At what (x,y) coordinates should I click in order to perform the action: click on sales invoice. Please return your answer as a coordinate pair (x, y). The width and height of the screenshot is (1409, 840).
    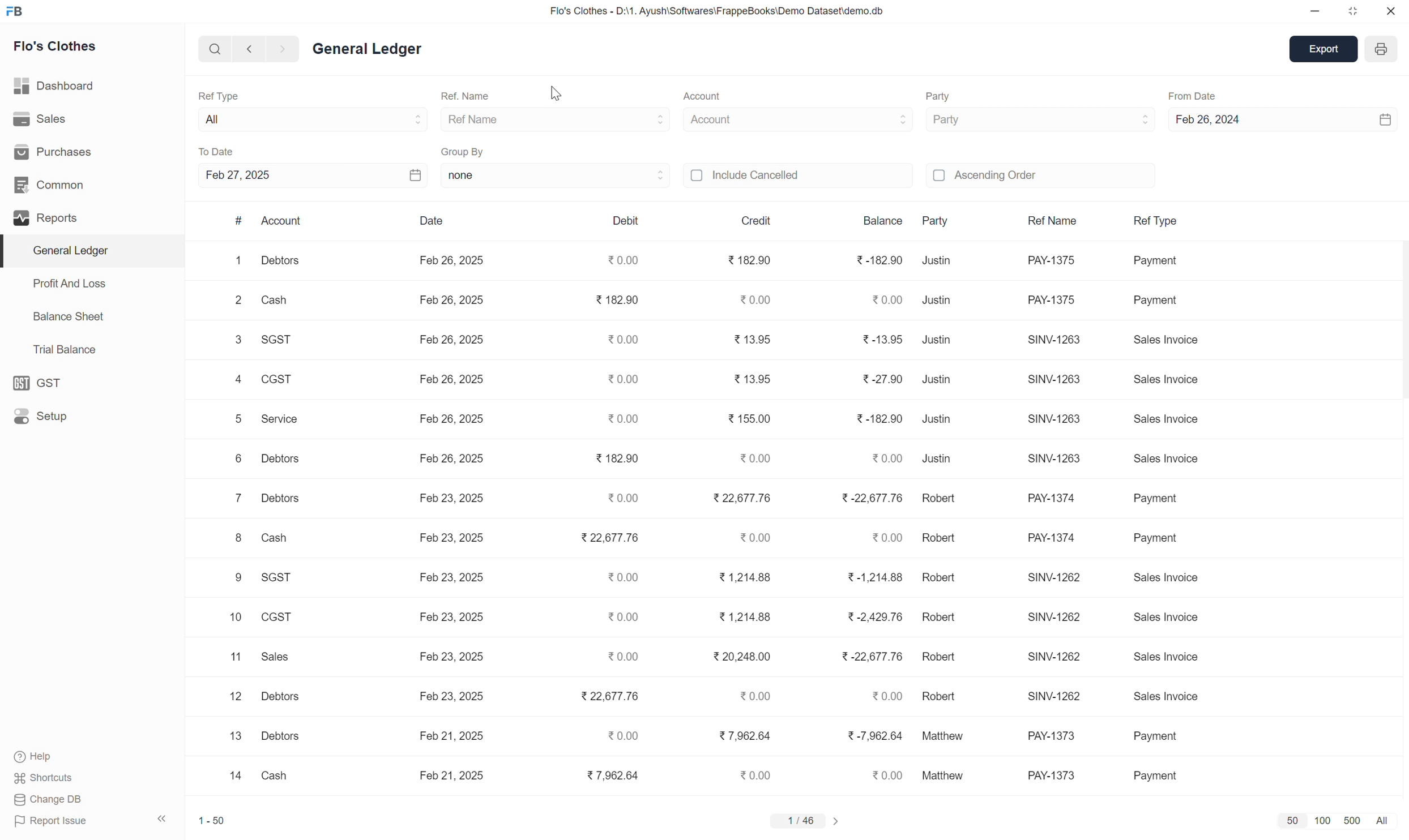
    Looking at the image, I should click on (1165, 421).